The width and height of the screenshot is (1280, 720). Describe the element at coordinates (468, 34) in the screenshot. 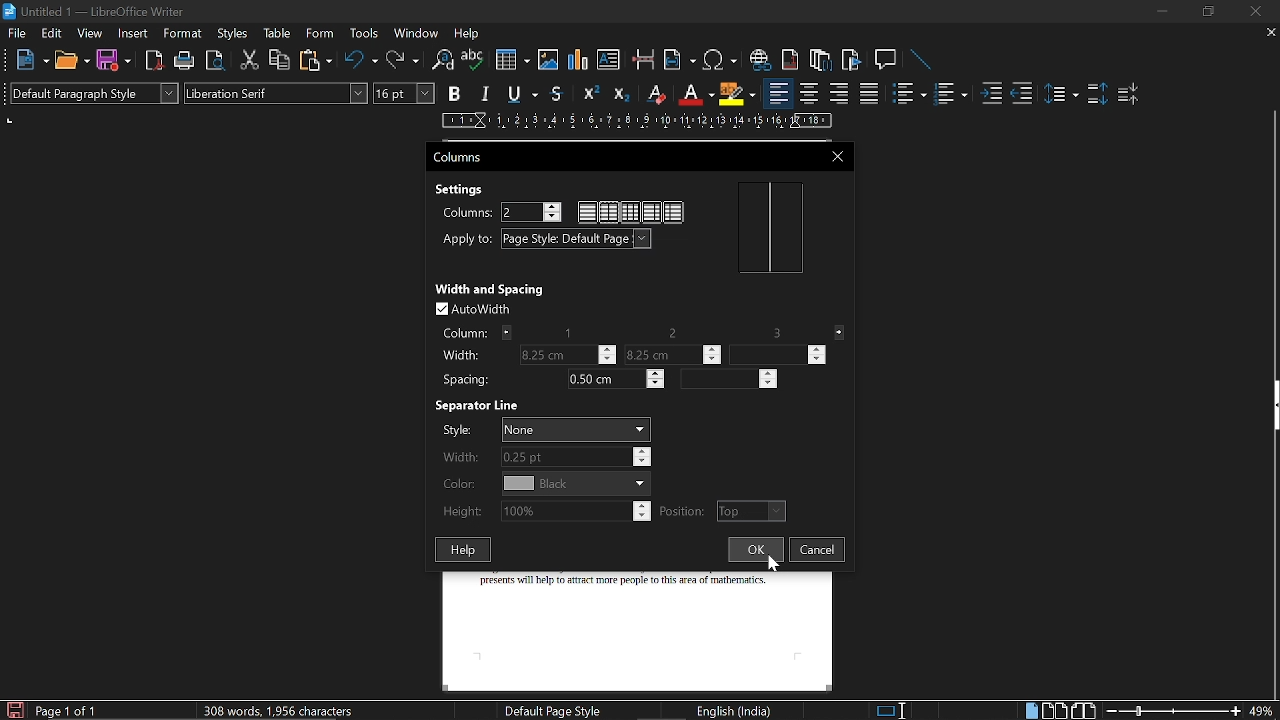

I see `Help` at that location.